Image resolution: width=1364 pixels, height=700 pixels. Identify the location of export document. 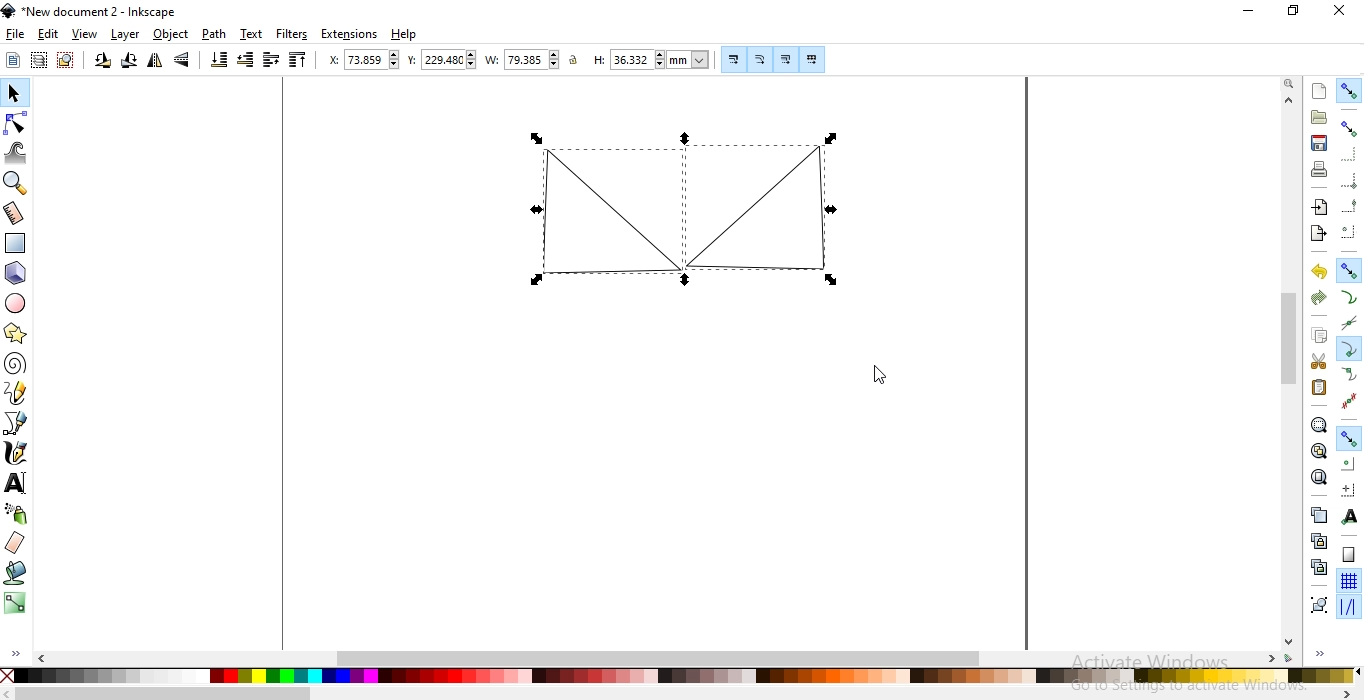
(1316, 233).